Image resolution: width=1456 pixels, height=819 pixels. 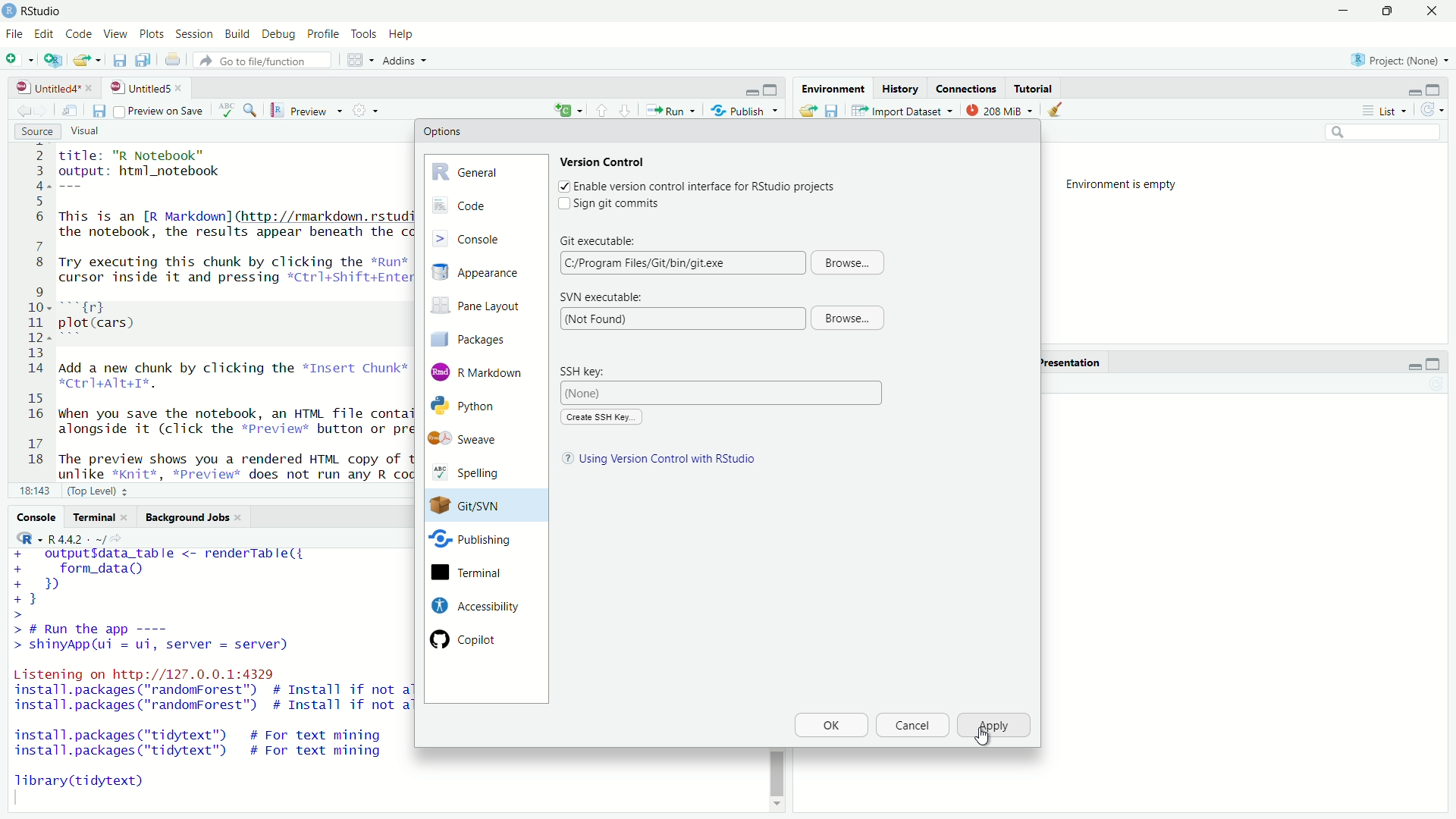 I want to click on minimise, so click(x=1340, y=11).